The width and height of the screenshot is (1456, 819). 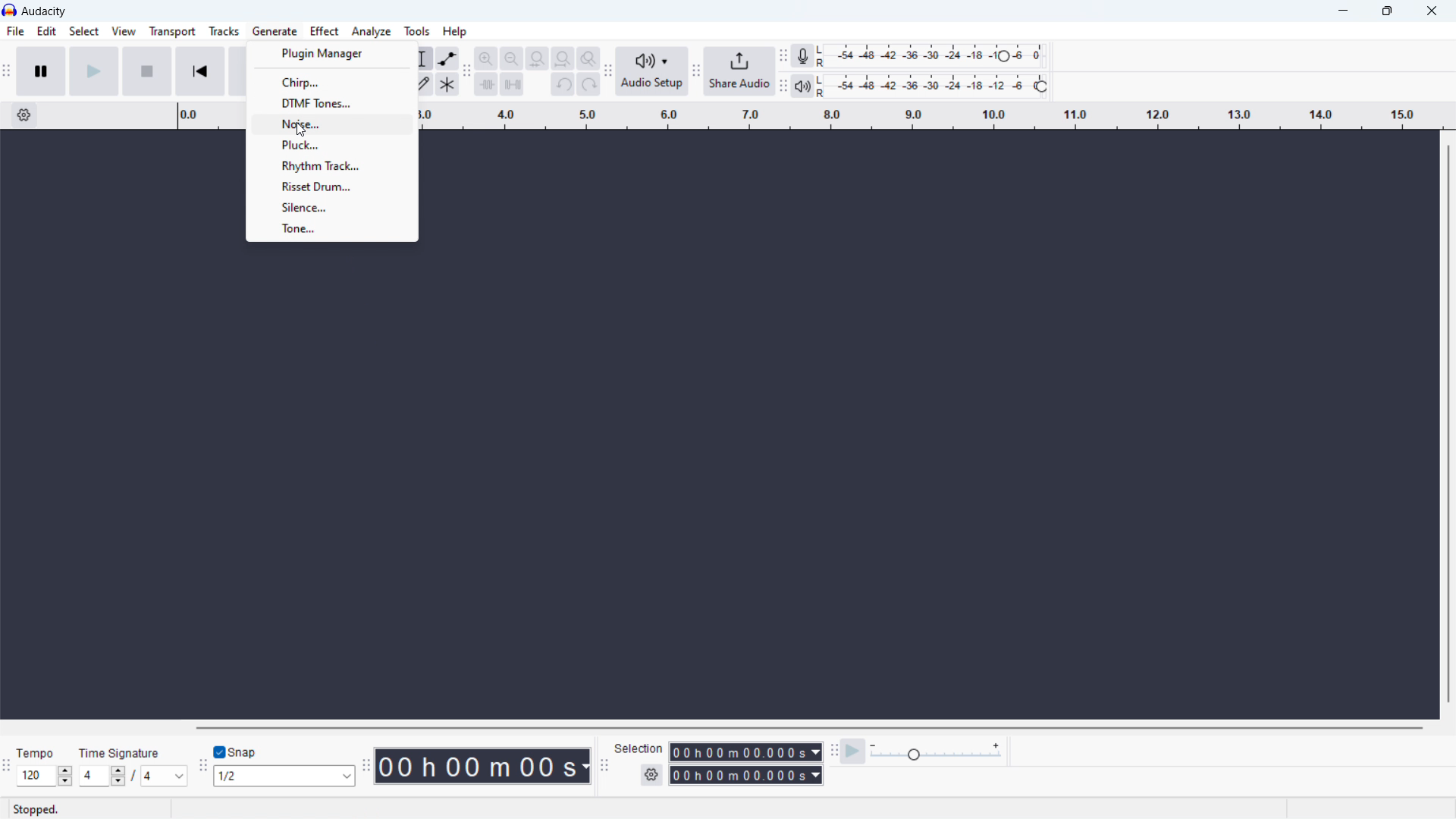 I want to click on share audio, so click(x=740, y=72).